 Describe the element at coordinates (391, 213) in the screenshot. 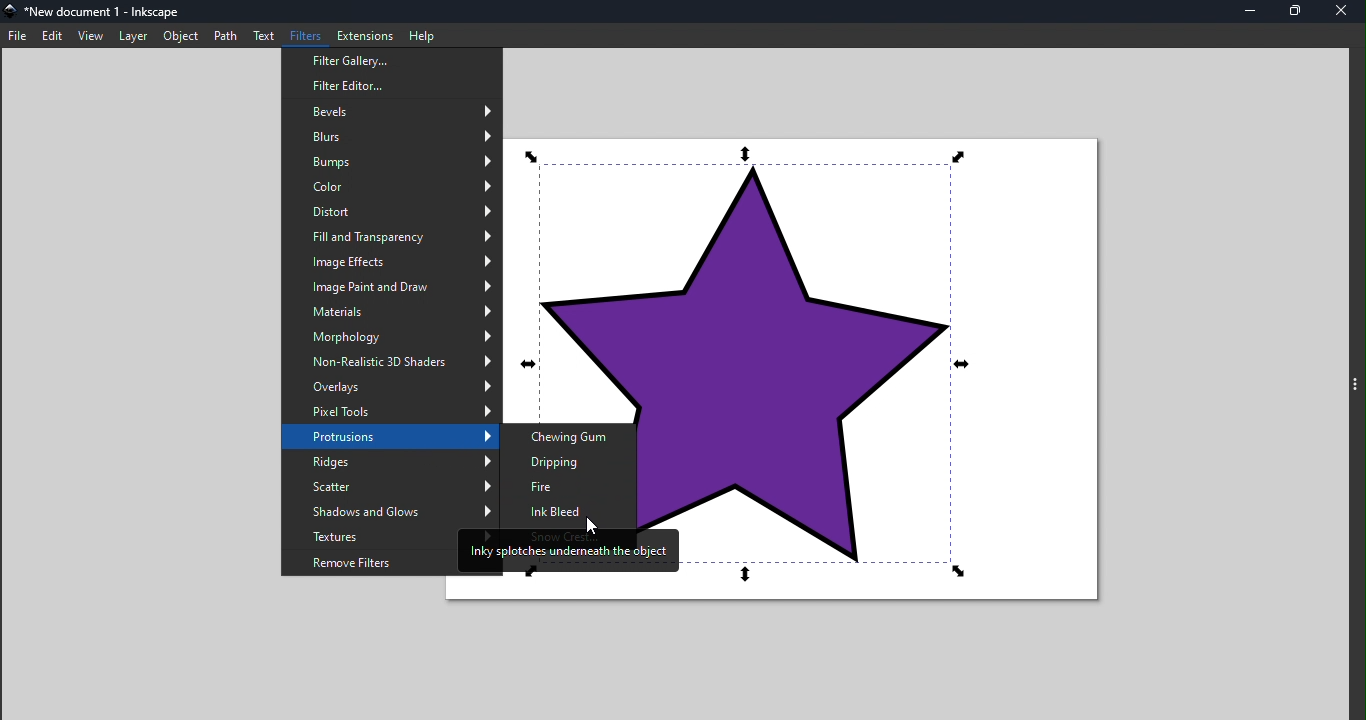

I see `Distort` at that location.